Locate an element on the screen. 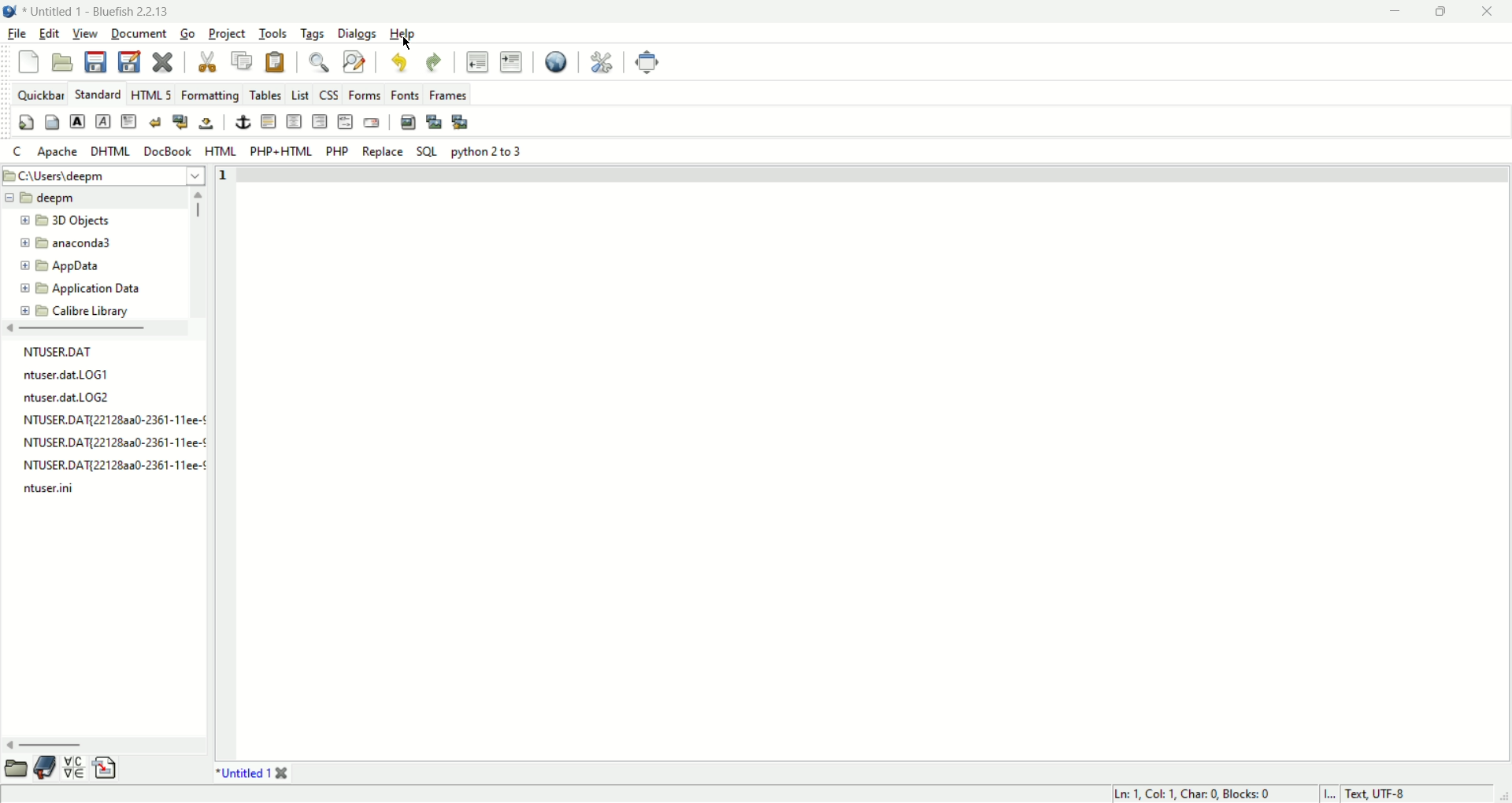 The height and width of the screenshot is (803, 1512). line number is located at coordinates (225, 461).